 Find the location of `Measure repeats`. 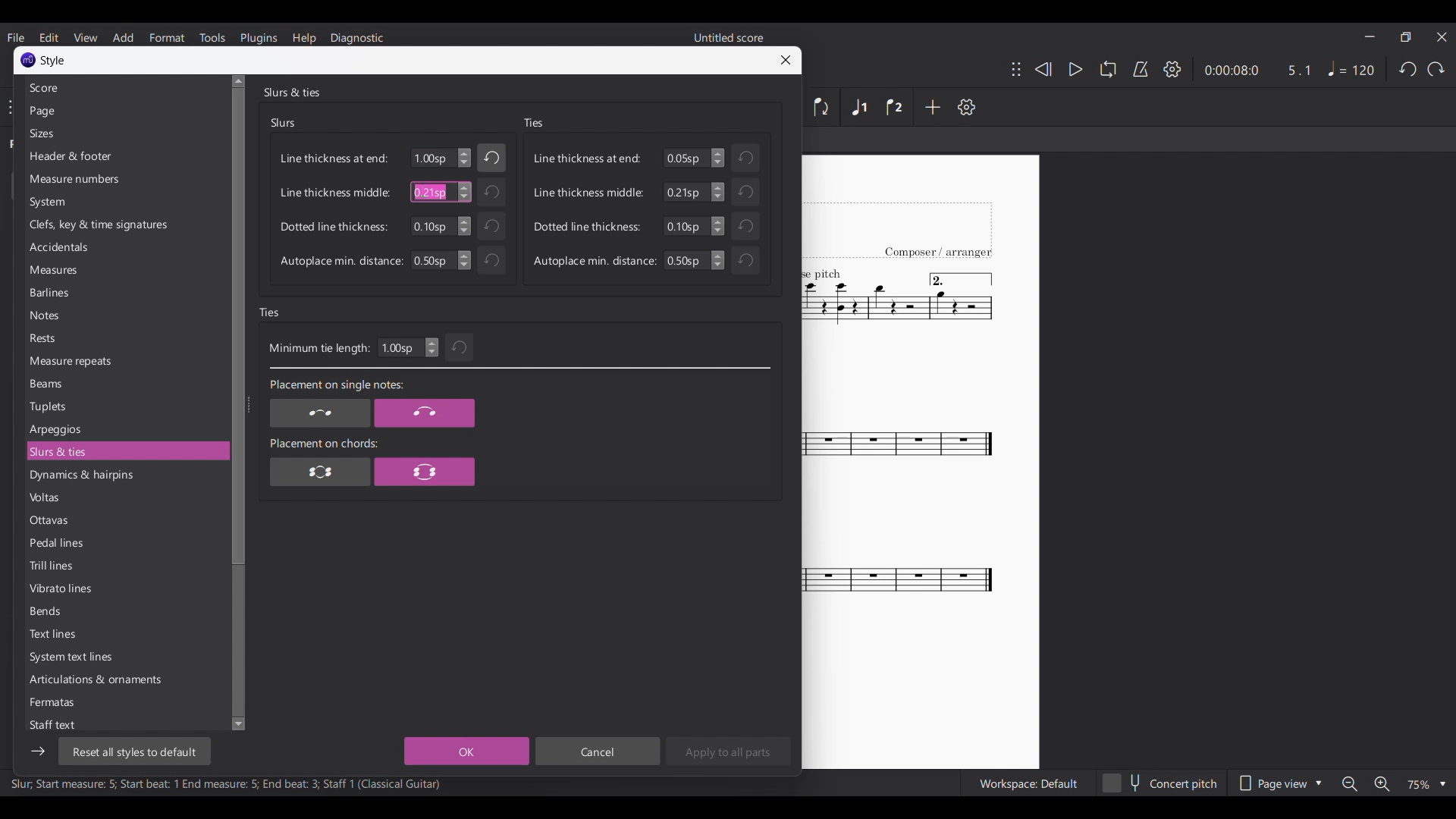

Measure repeats is located at coordinates (125, 361).